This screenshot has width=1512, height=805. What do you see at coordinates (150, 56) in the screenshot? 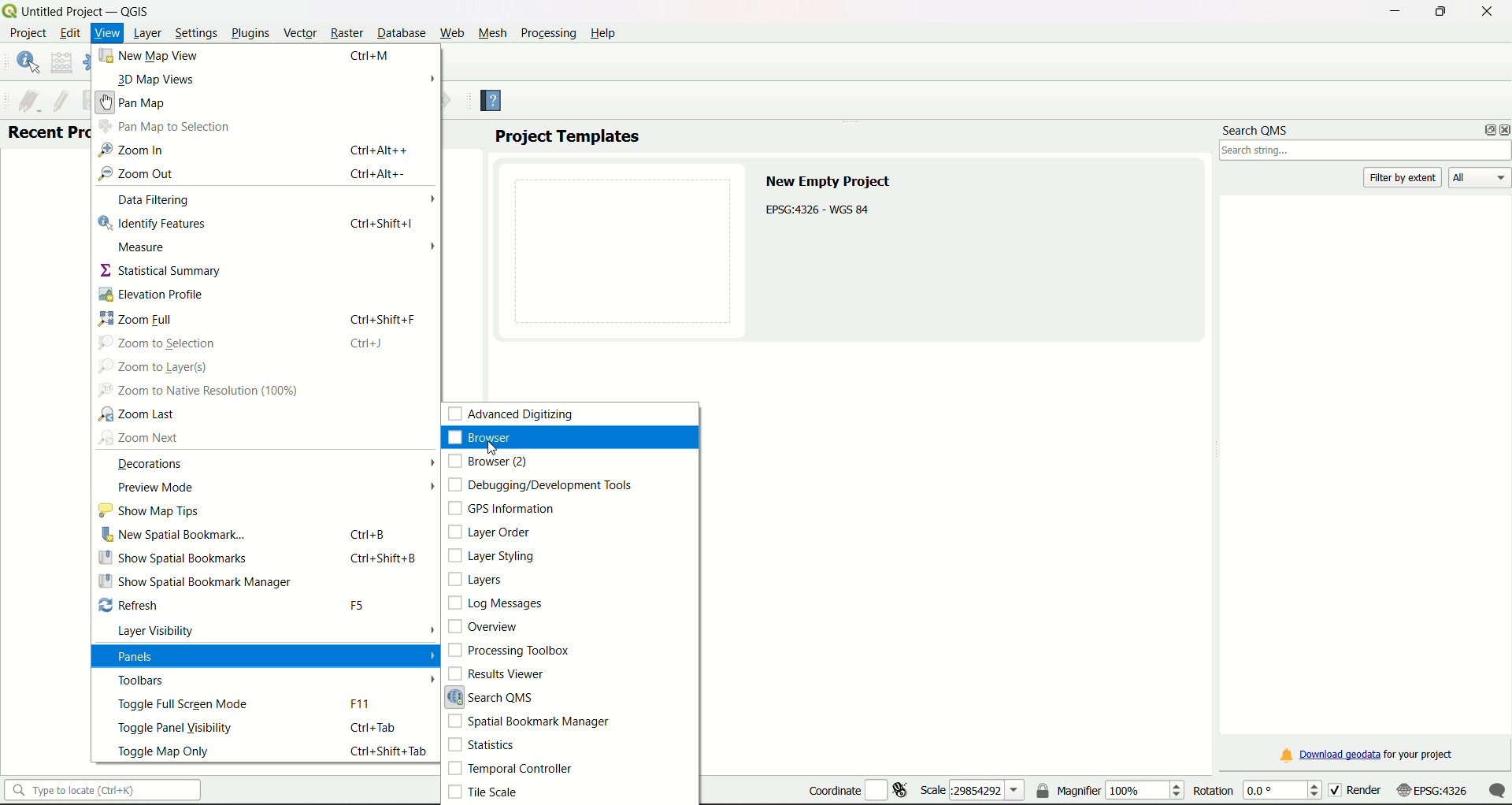
I see `New Map View` at bounding box center [150, 56].